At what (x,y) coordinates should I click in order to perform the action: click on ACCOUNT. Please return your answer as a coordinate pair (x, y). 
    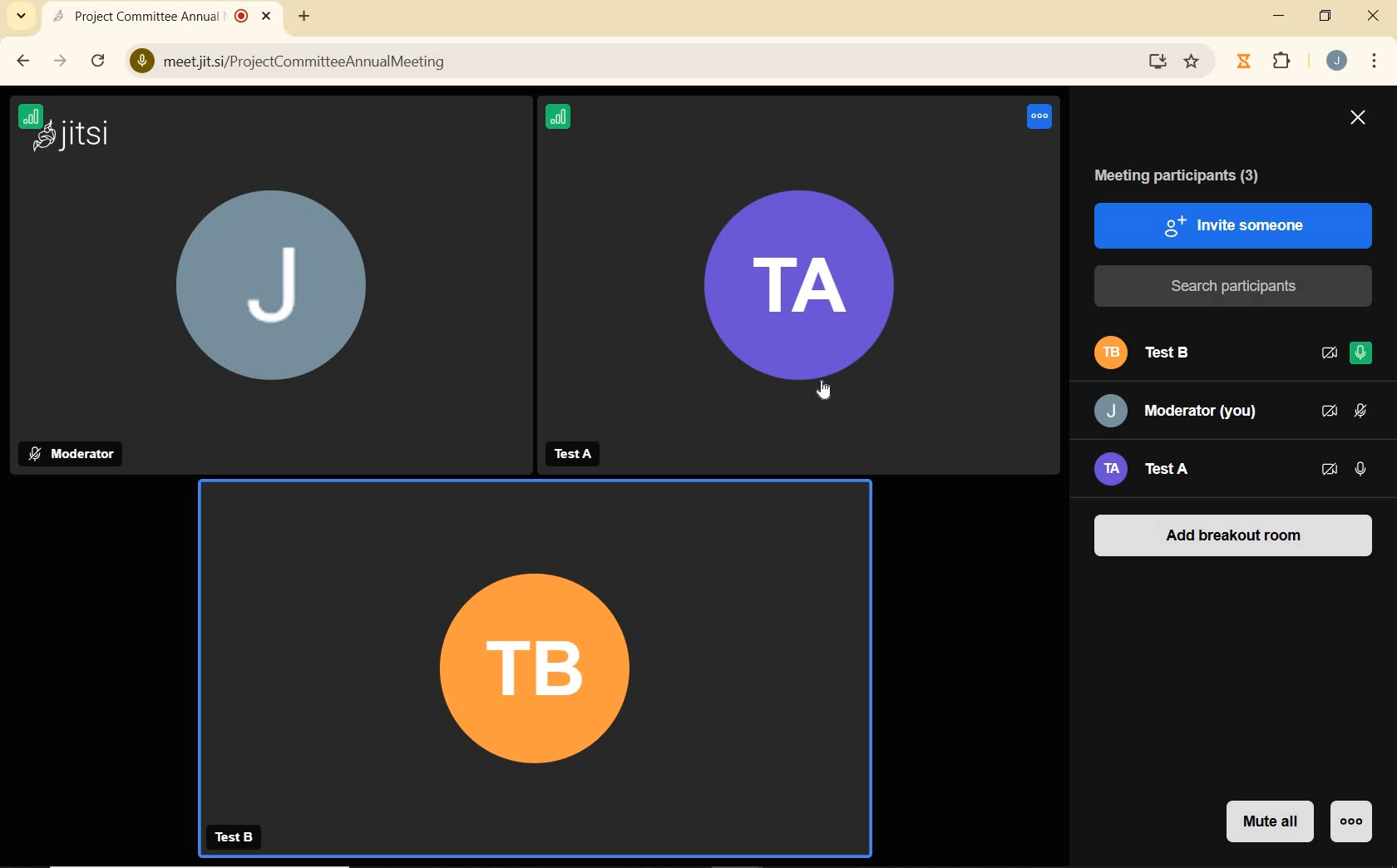
    Looking at the image, I should click on (1337, 62).